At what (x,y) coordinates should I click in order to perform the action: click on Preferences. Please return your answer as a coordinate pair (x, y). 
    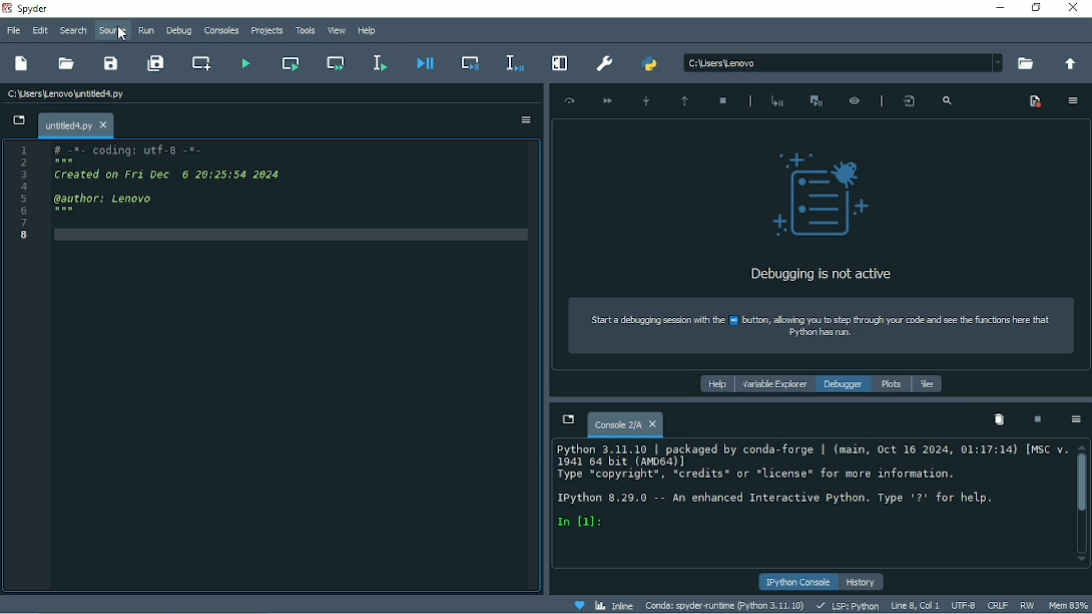
    Looking at the image, I should click on (603, 63).